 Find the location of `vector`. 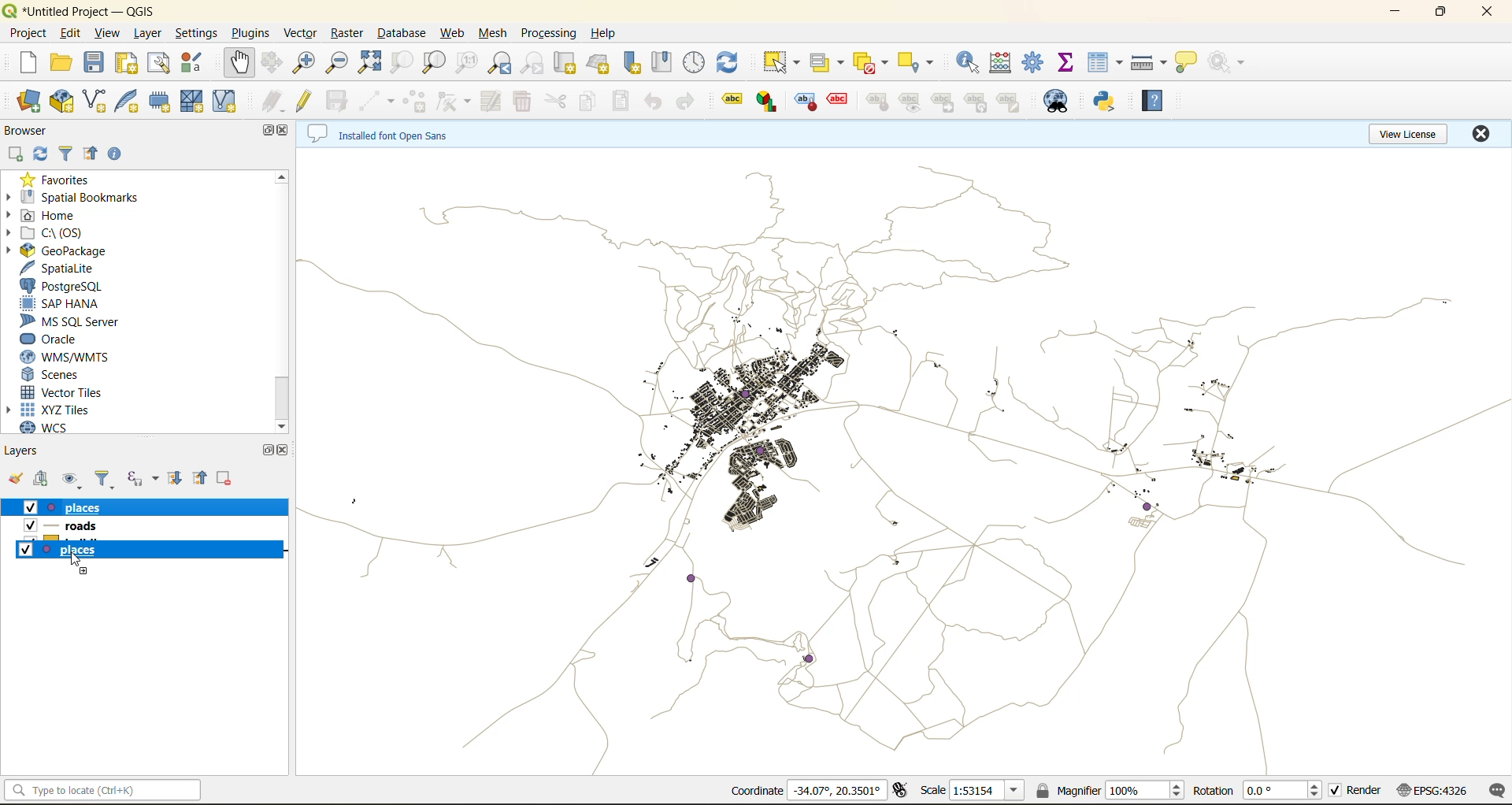

vector is located at coordinates (302, 33).